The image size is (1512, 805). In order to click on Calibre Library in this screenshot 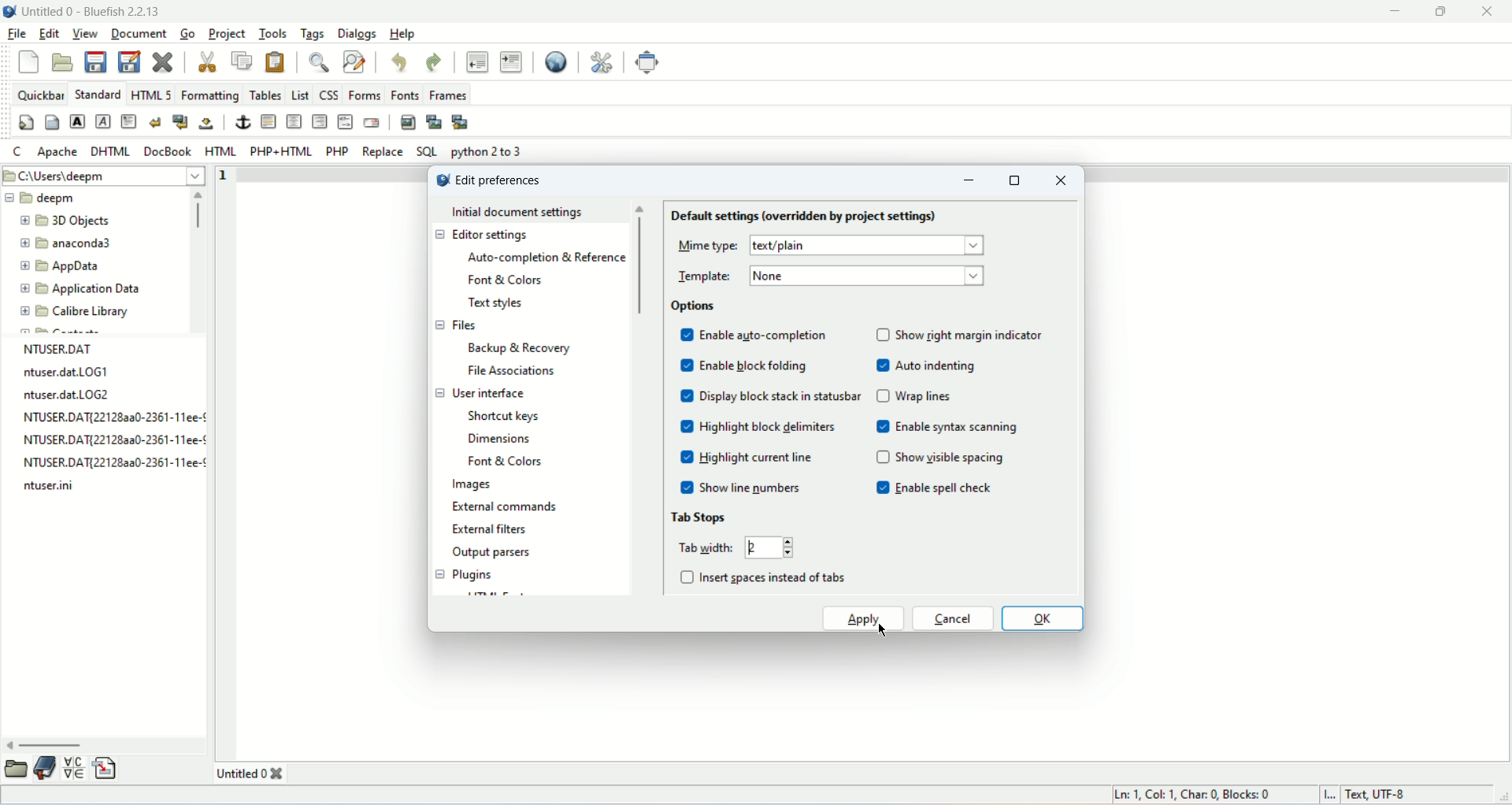, I will do `click(92, 313)`.